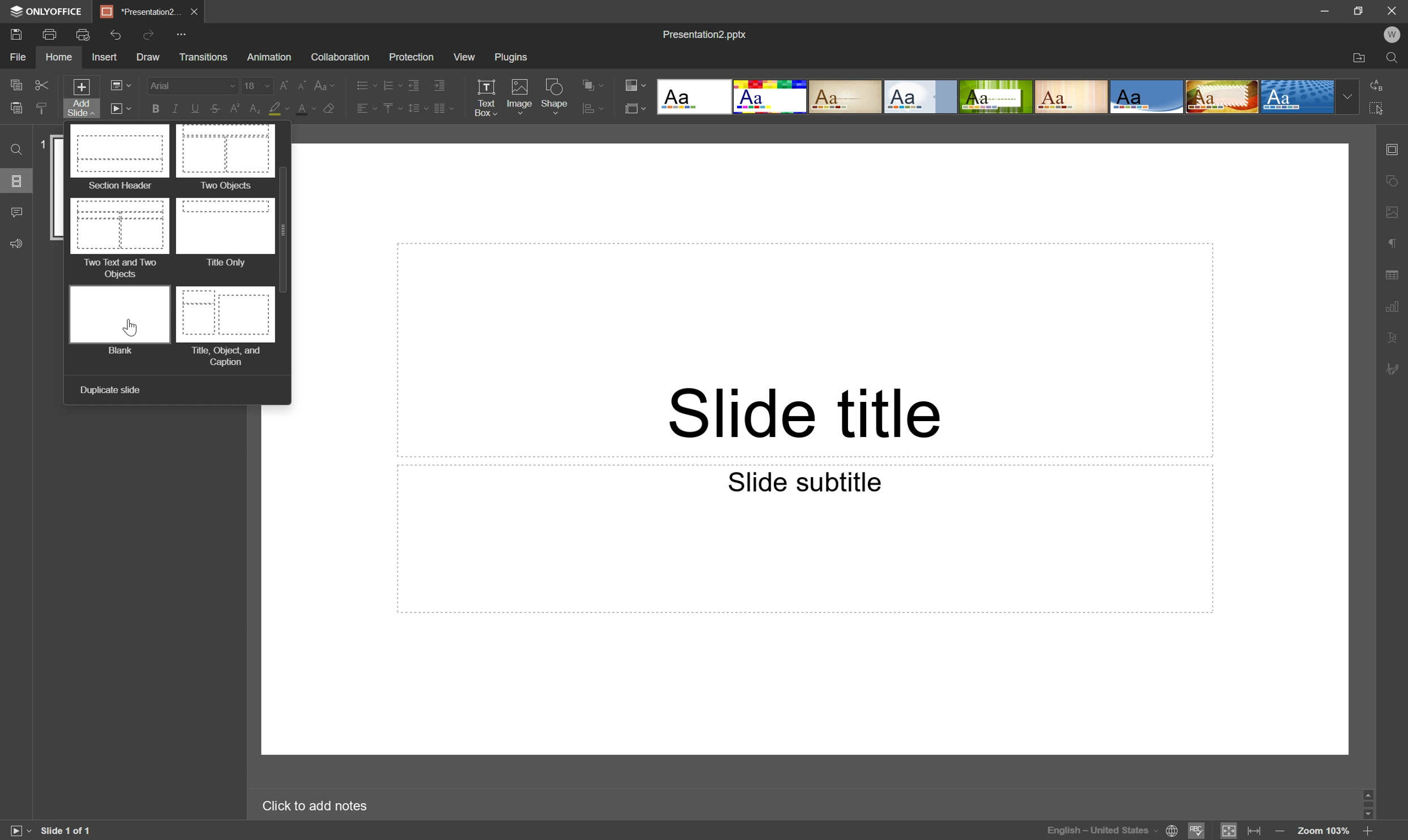 The height and width of the screenshot is (840, 1408). I want to click on Spell checking, so click(1198, 830).